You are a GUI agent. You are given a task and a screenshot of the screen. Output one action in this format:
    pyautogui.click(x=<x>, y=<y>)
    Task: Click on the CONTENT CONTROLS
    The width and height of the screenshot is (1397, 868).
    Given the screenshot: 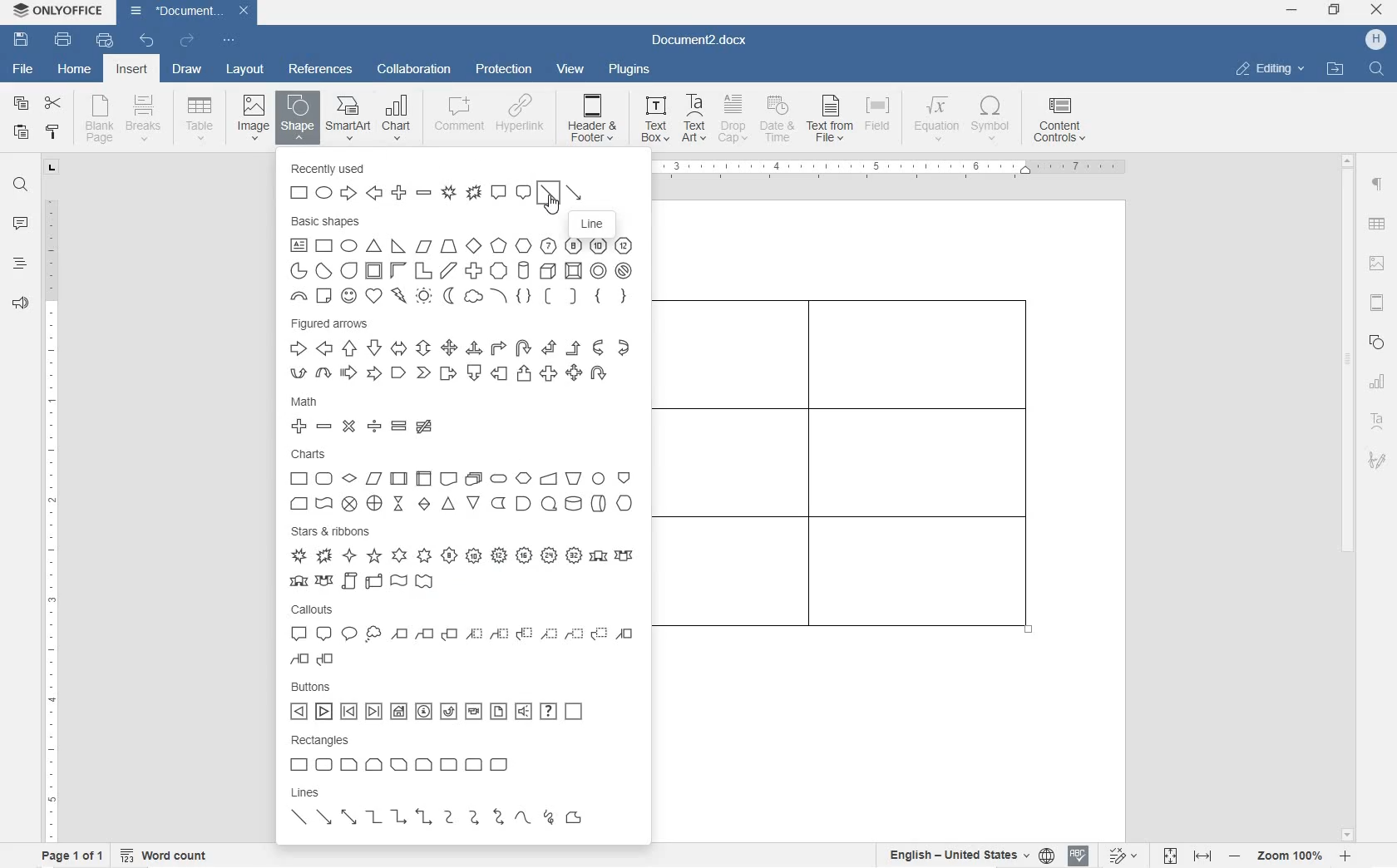 What is the action you would take?
    pyautogui.click(x=1057, y=122)
    